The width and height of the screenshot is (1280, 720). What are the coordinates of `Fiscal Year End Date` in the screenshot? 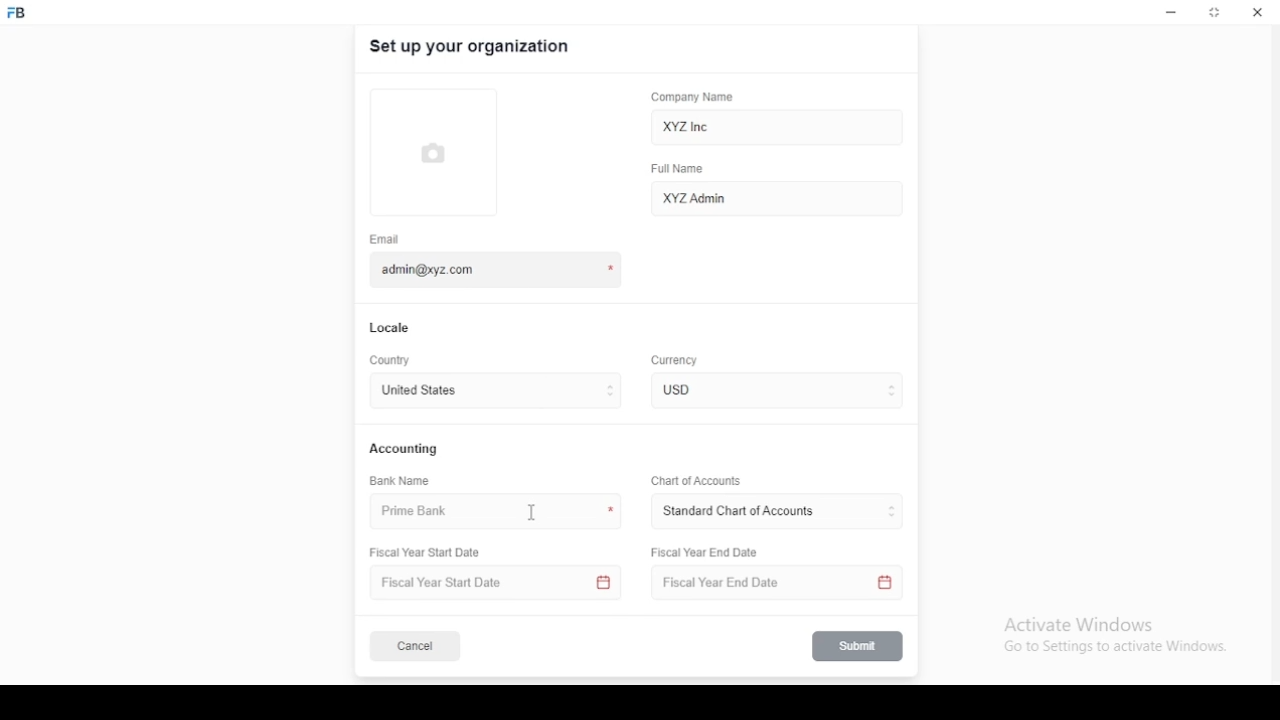 It's located at (706, 552).